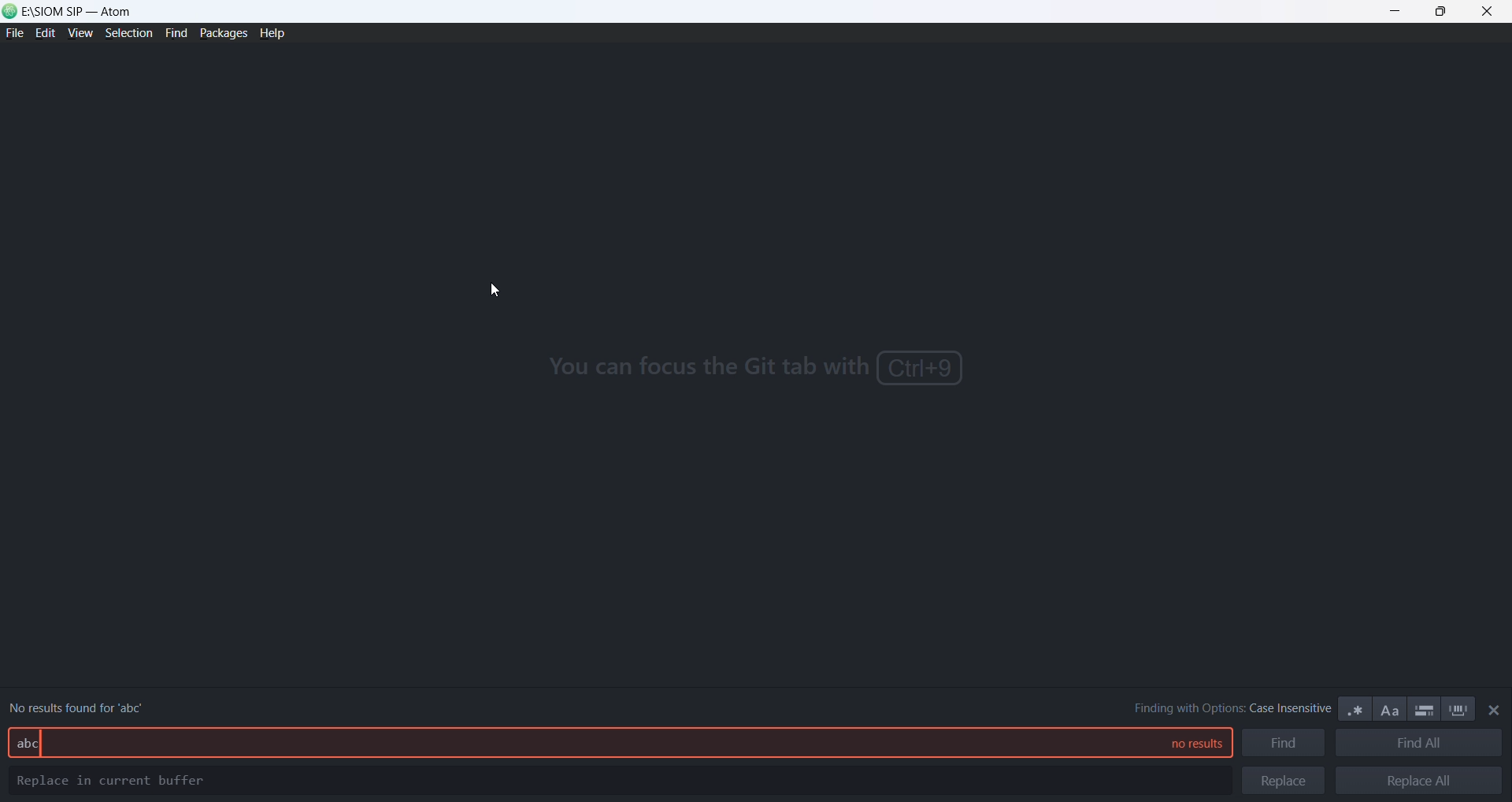  What do you see at coordinates (78, 36) in the screenshot?
I see `view` at bounding box center [78, 36].